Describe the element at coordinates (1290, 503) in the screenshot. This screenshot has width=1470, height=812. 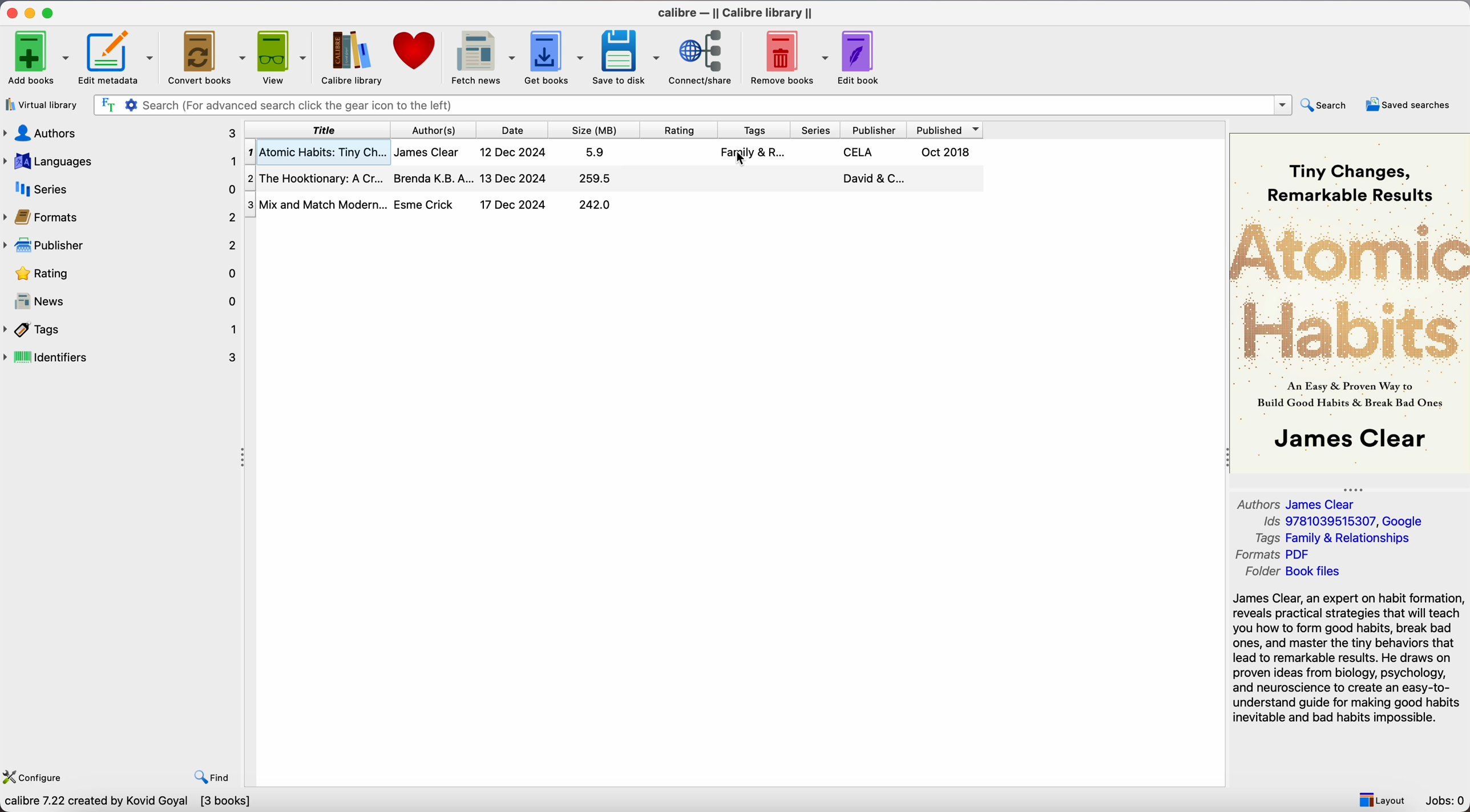
I see `Authors James Clear` at that location.